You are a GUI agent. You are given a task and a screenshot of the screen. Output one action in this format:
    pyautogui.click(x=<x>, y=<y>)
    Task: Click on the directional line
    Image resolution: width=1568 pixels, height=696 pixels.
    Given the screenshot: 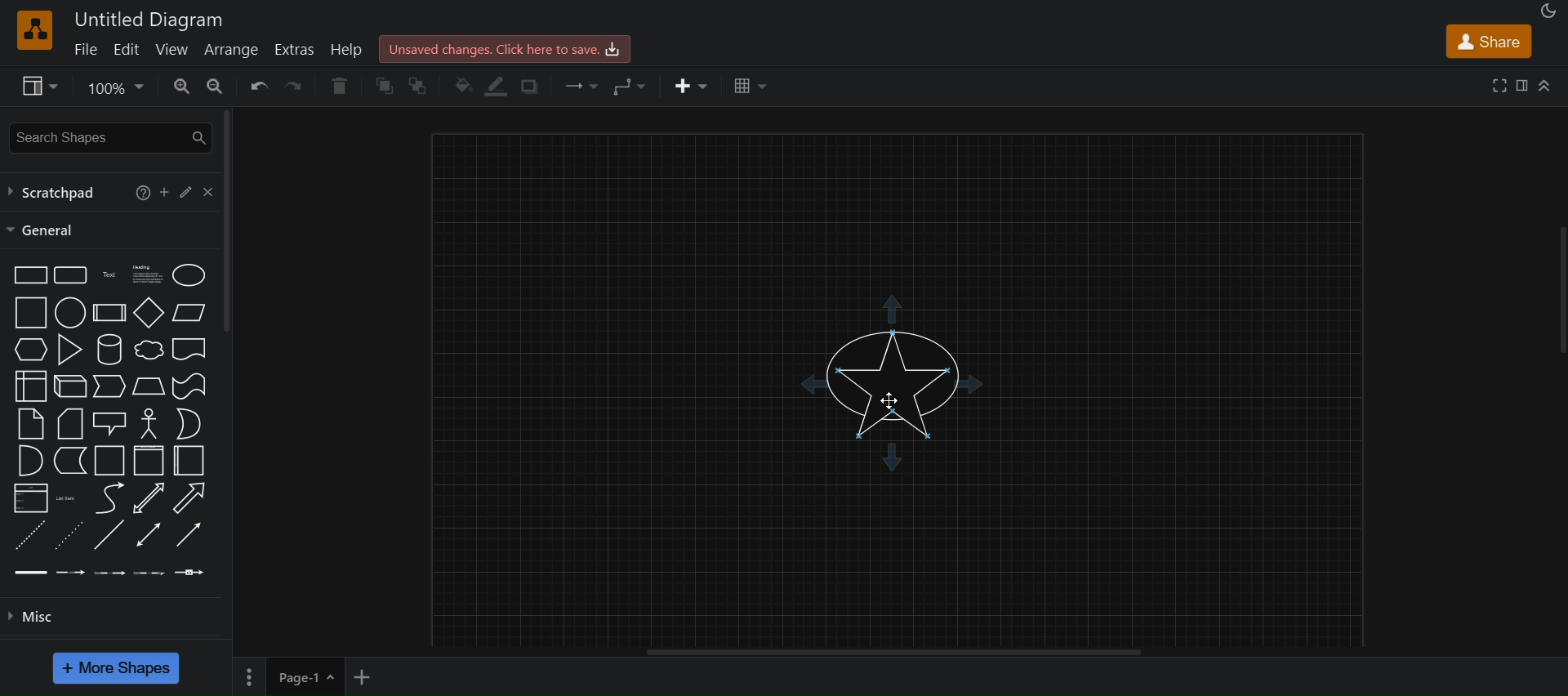 What is the action you would take?
    pyautogui.click(x=189, y=533)
    